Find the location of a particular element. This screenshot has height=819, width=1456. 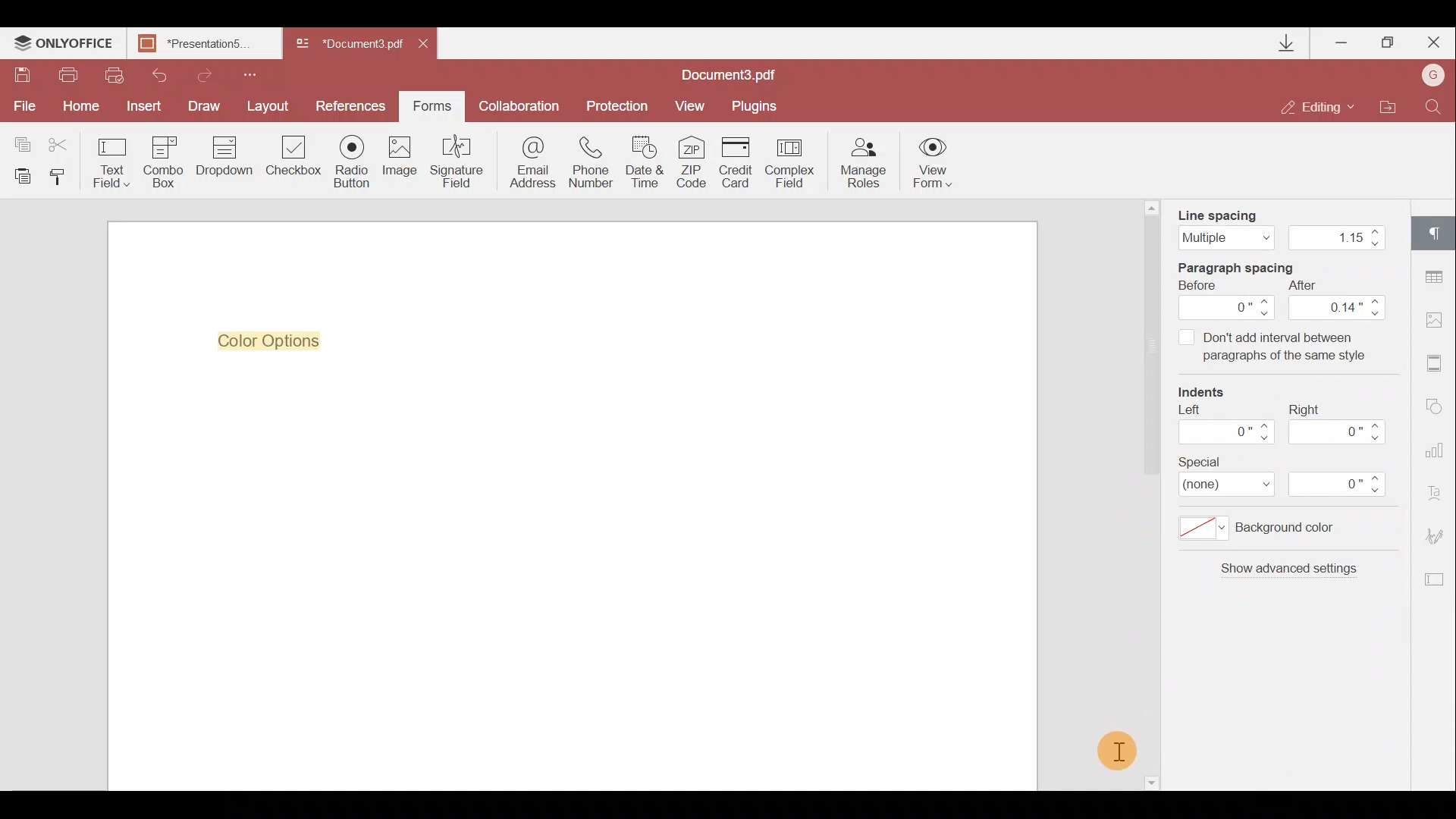

Paragraph spacing is located at coordinates (1284, 313).